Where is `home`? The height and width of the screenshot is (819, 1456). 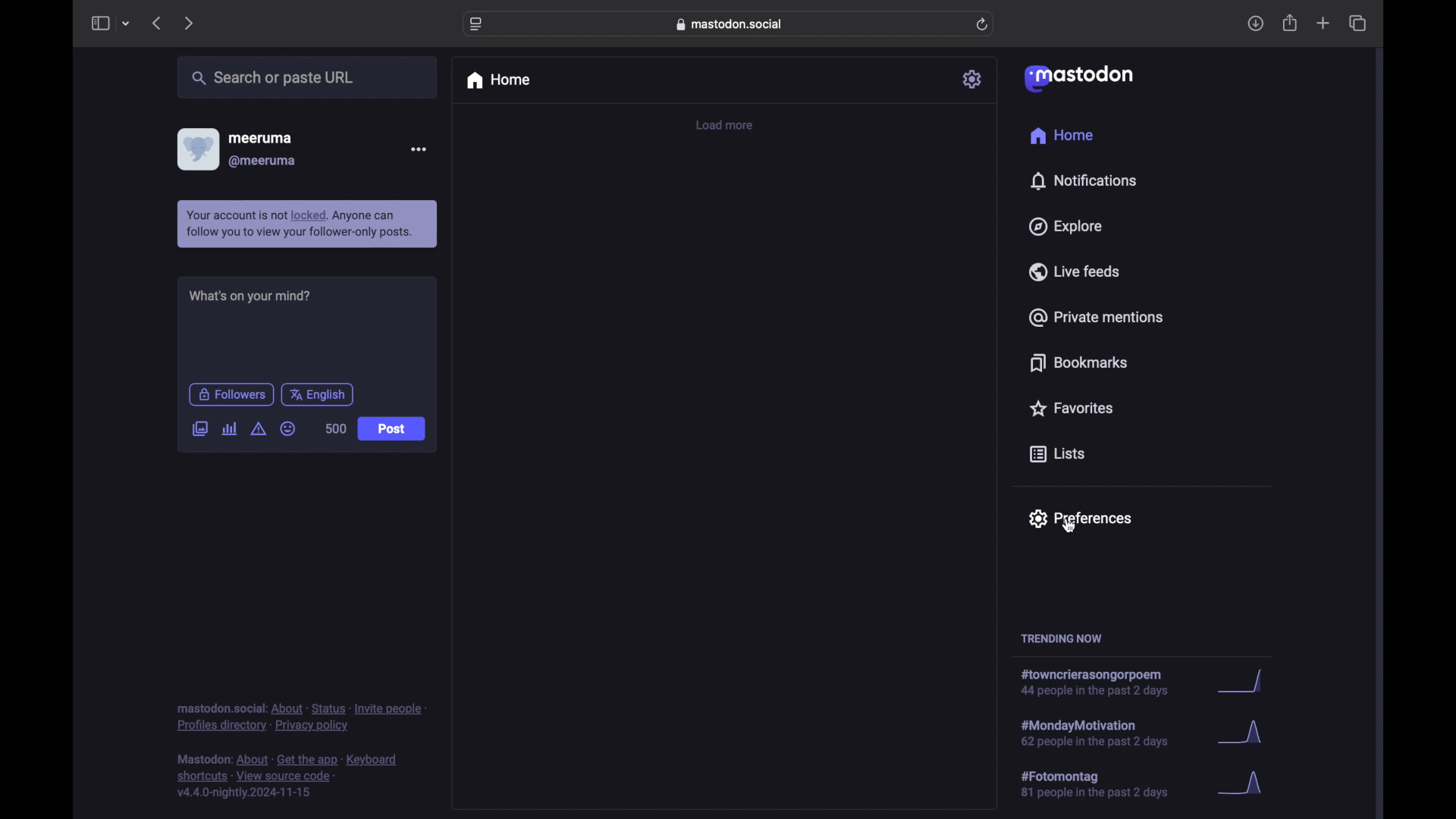
home is located at coordinates (1063, 135).